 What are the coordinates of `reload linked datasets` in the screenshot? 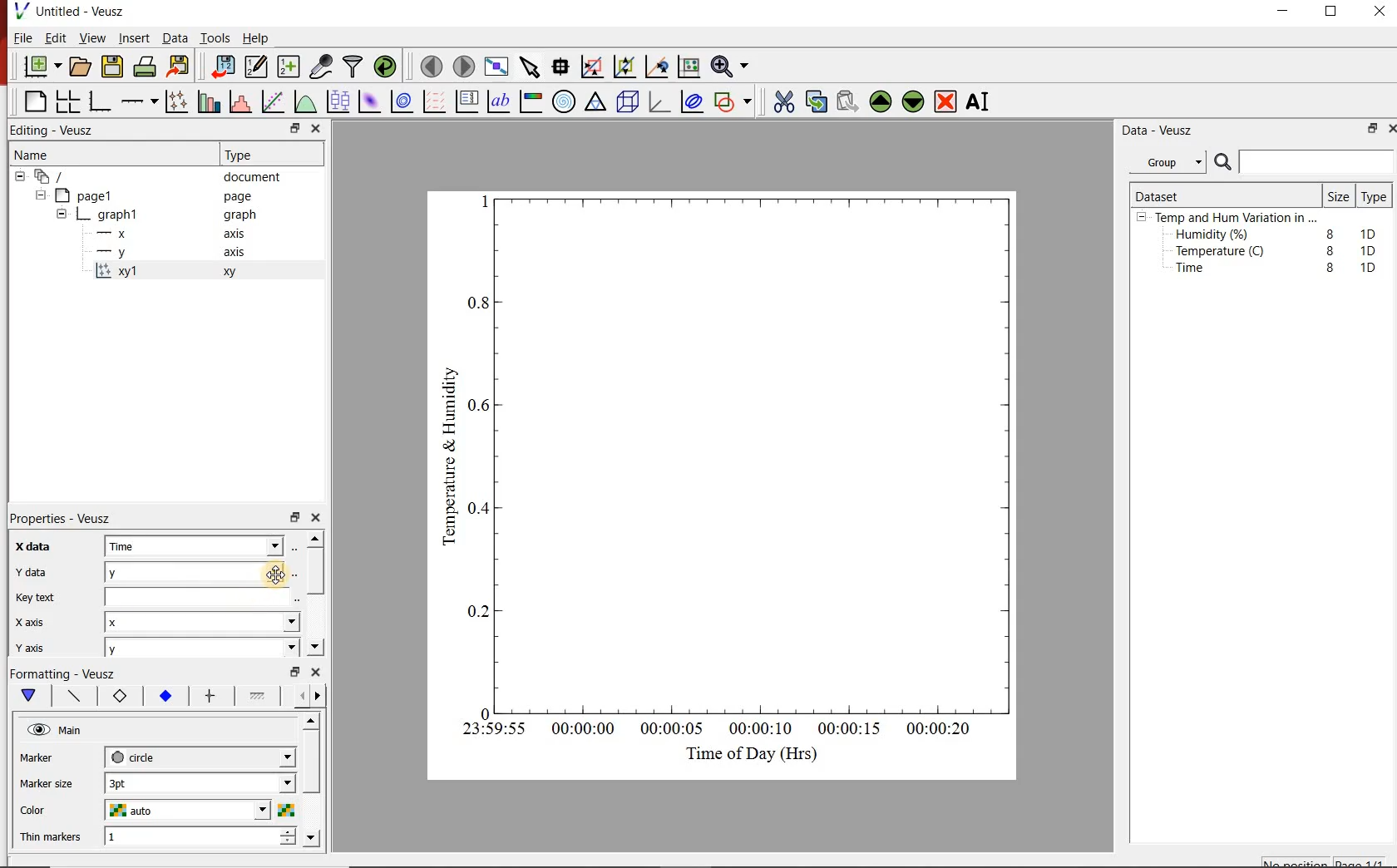 It's located at (385, 67).